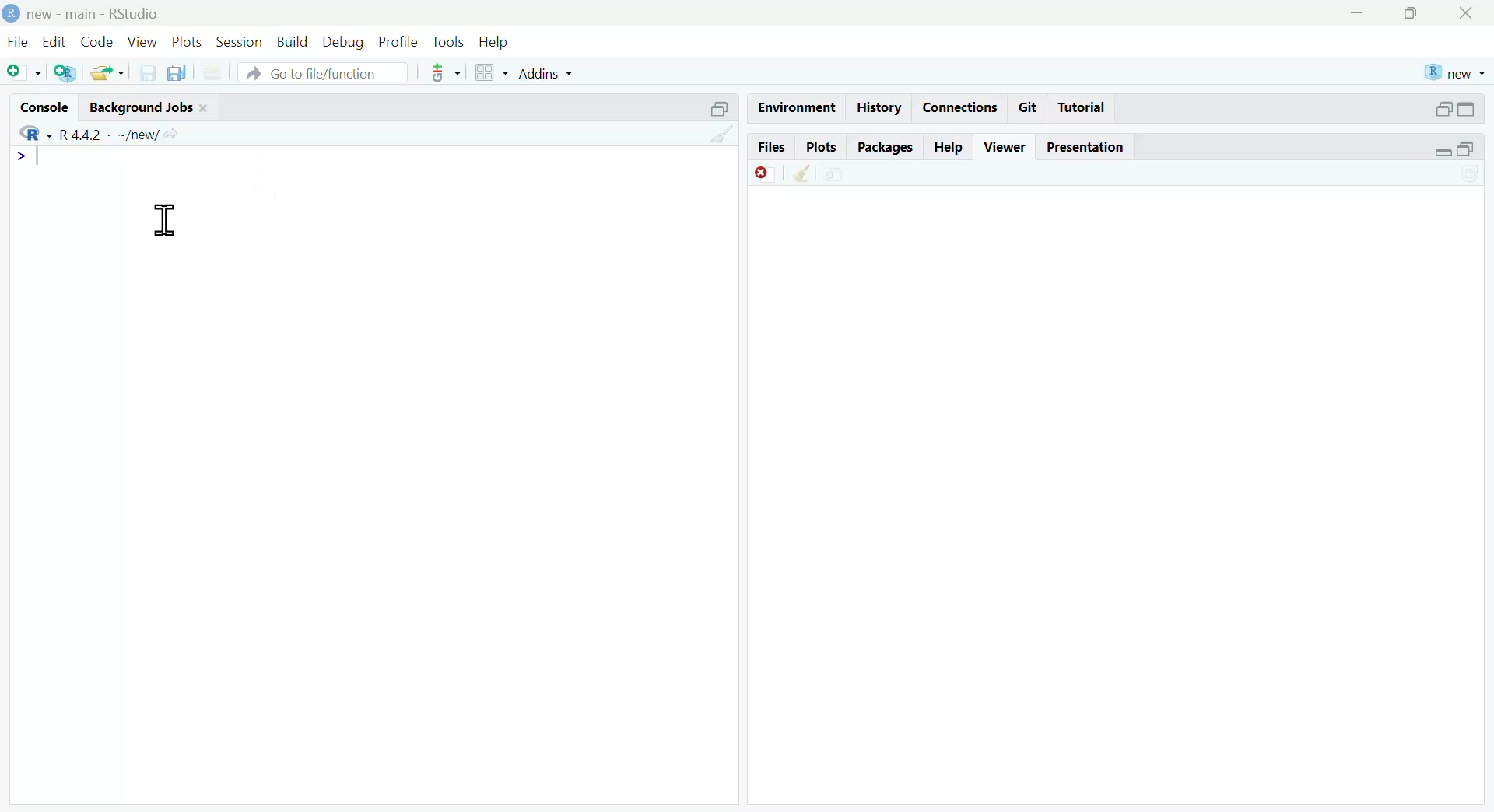 The height and width of the screenshot is (812, 1494). I want to click on Debug, so click(343, 42).